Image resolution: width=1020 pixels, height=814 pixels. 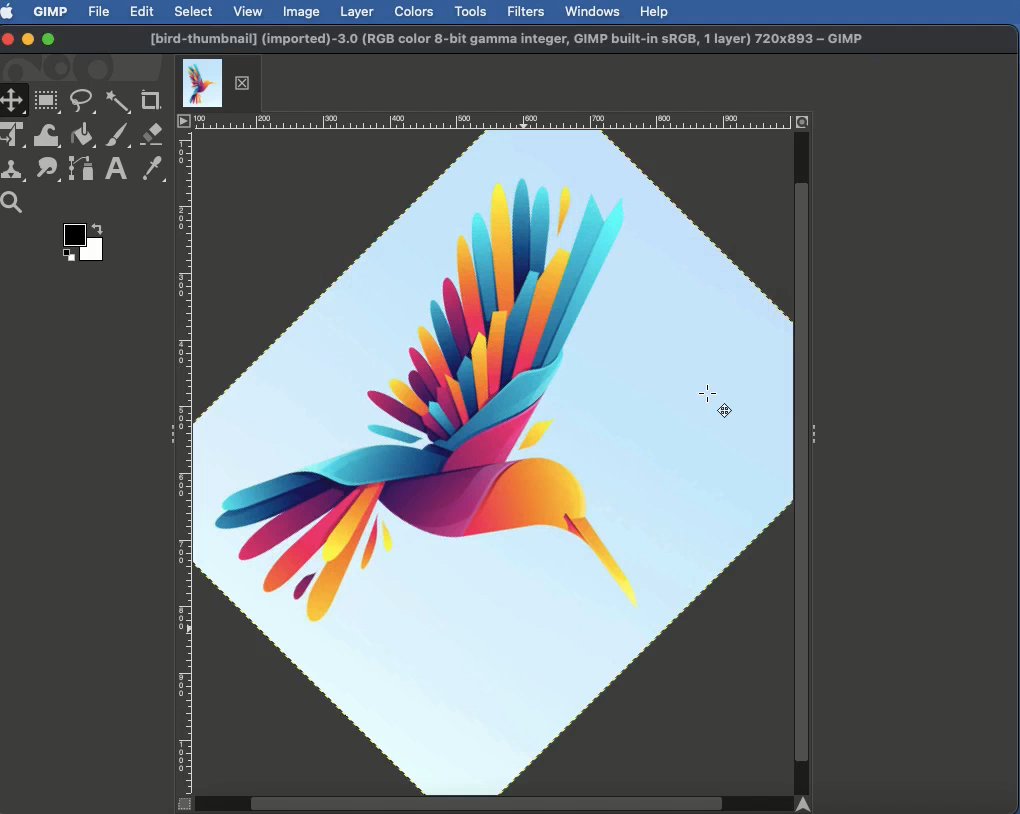 What do you see at coordinates (116, 137) in the screenshot?
I see `Paint` at bounding box center [116, 137].